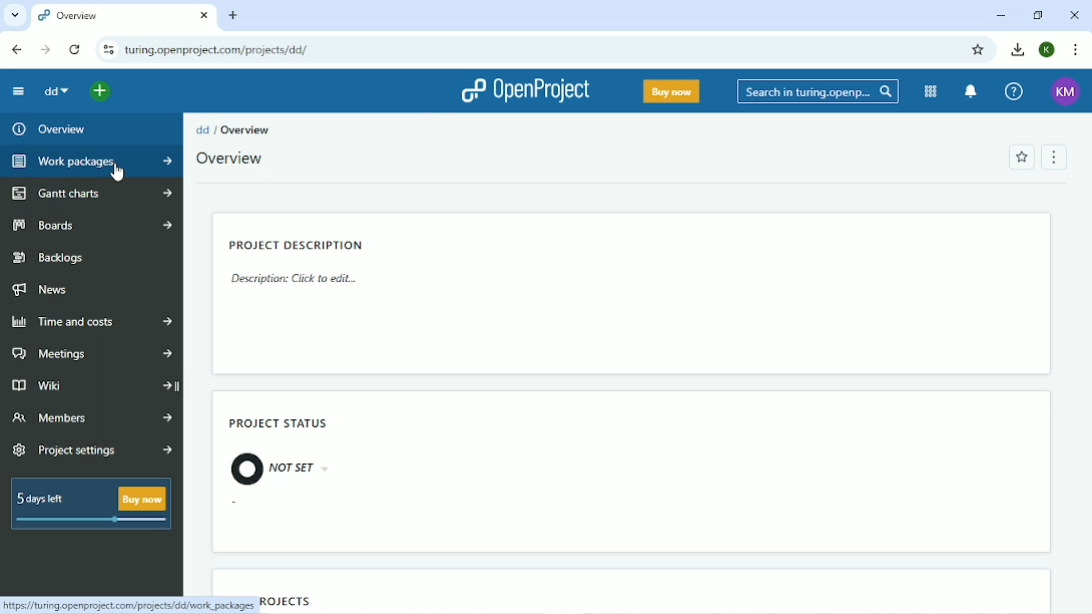 This screenshot has height=614, width=1092. What do you see at coordinates (131, 603) in the screenshot?
I see `Link` at bounding box center [131, 603].